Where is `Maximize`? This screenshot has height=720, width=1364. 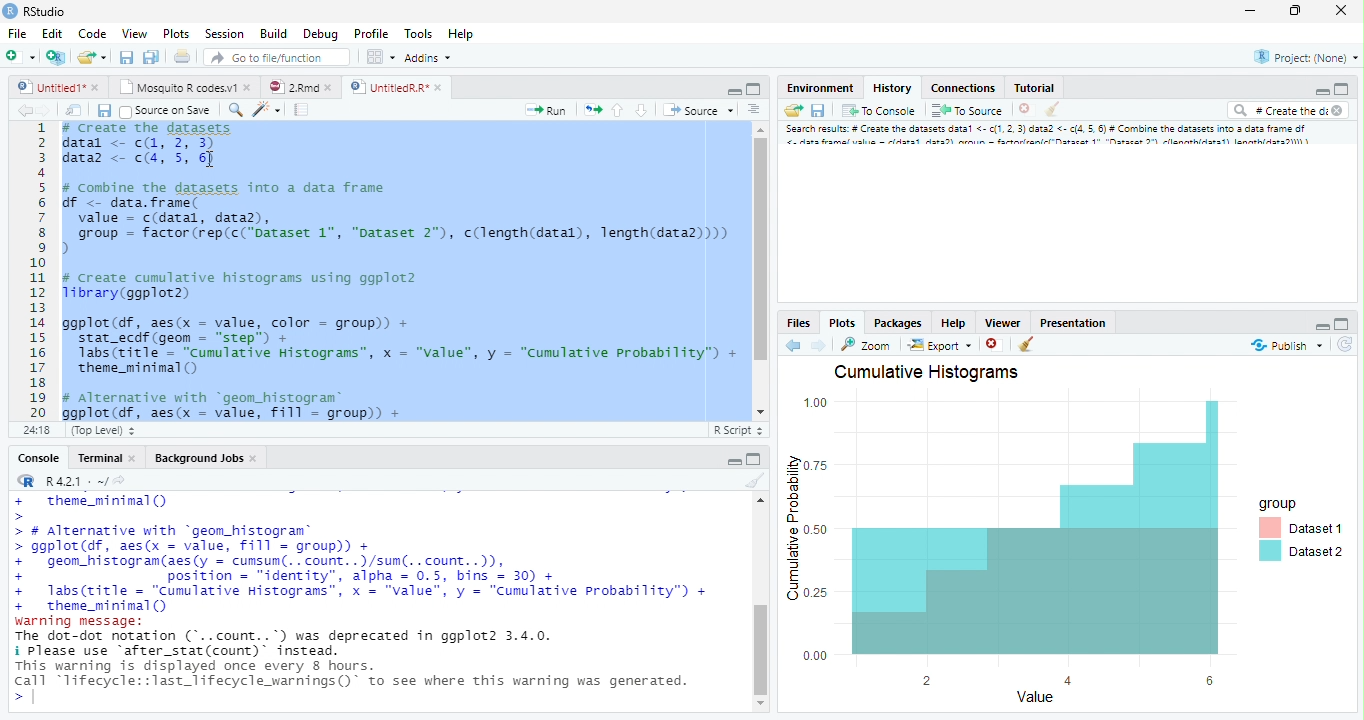 Maximize is located at coordinates (1340, 90).